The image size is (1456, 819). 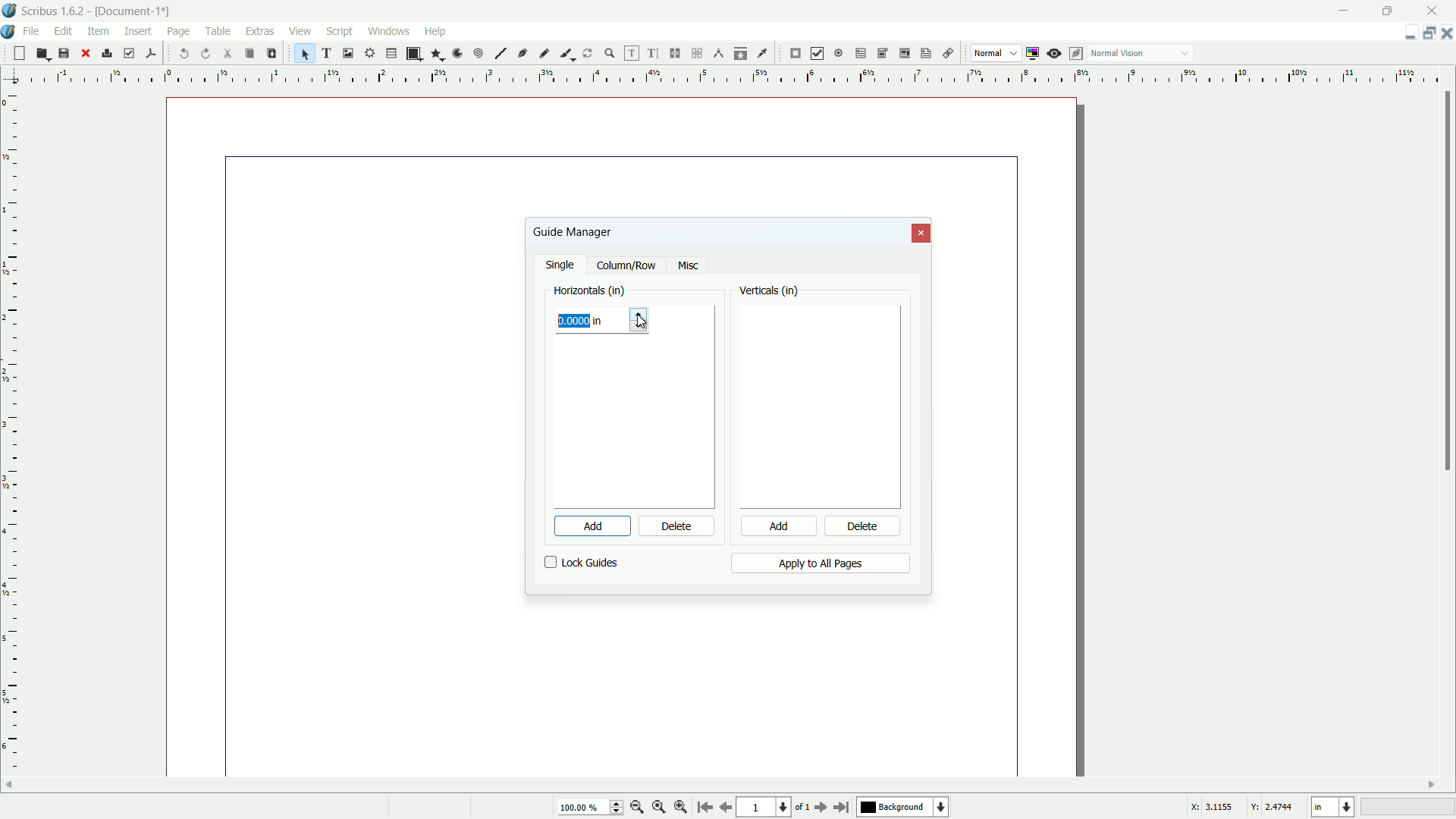 What do you see at coordinates (185, 54) in the screenshot?
I see `undo` at bounding box center [185, 54].